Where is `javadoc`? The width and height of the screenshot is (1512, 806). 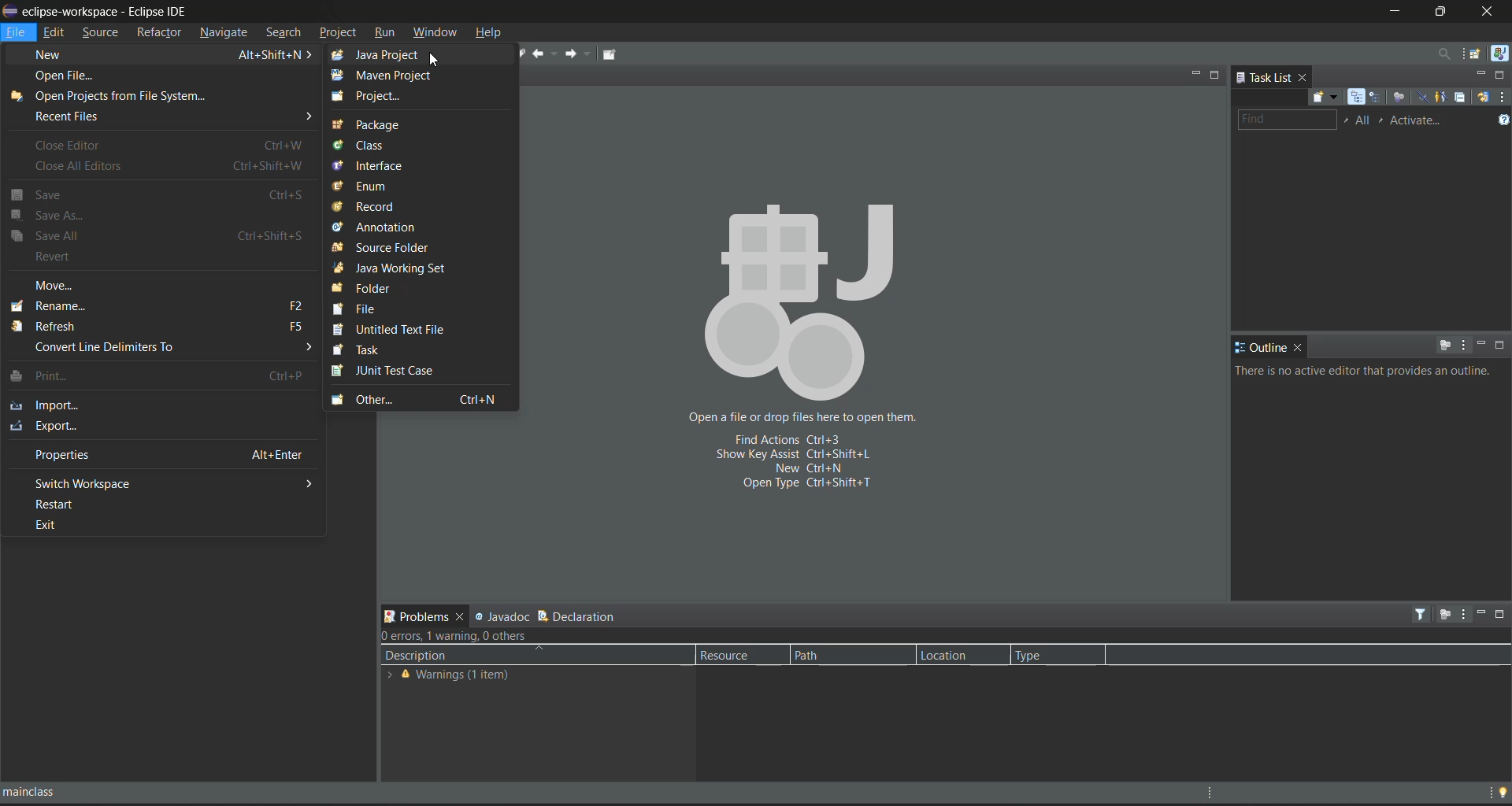 javadoc is located at coordinates (504, 616).